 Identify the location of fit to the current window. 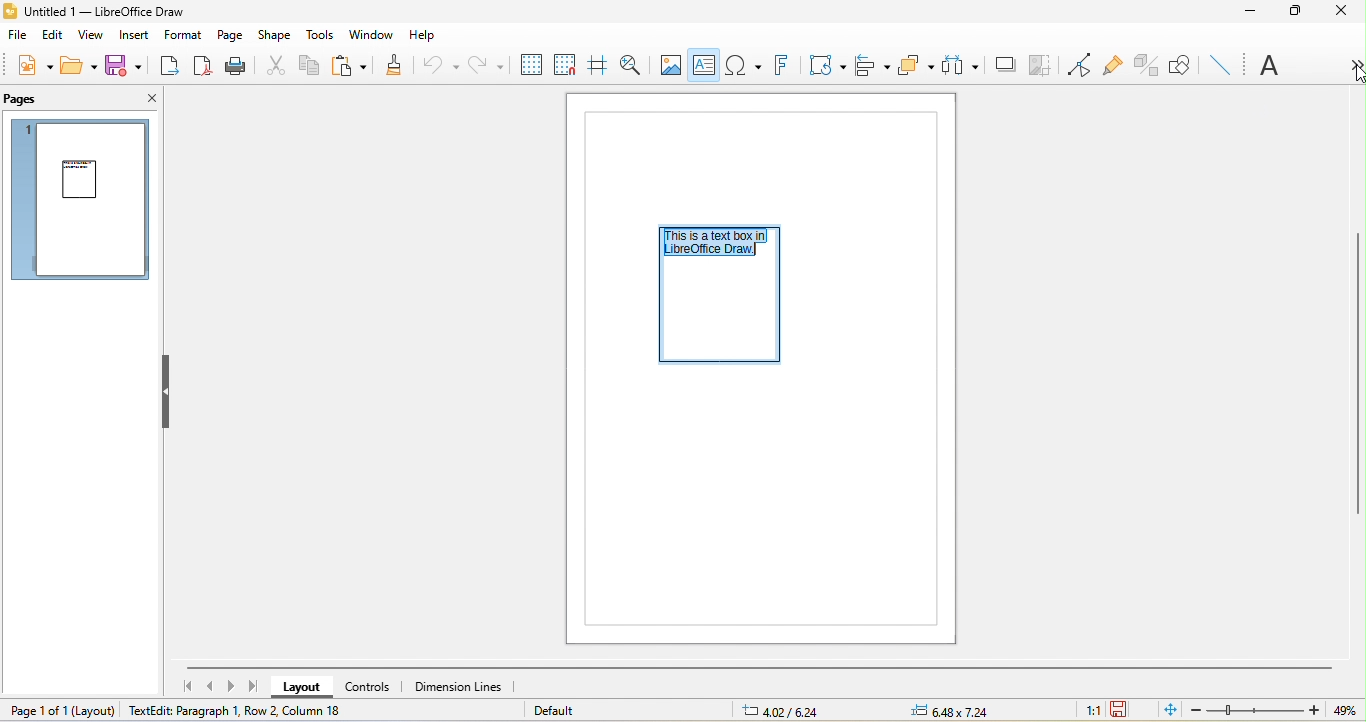
(1167, 711).